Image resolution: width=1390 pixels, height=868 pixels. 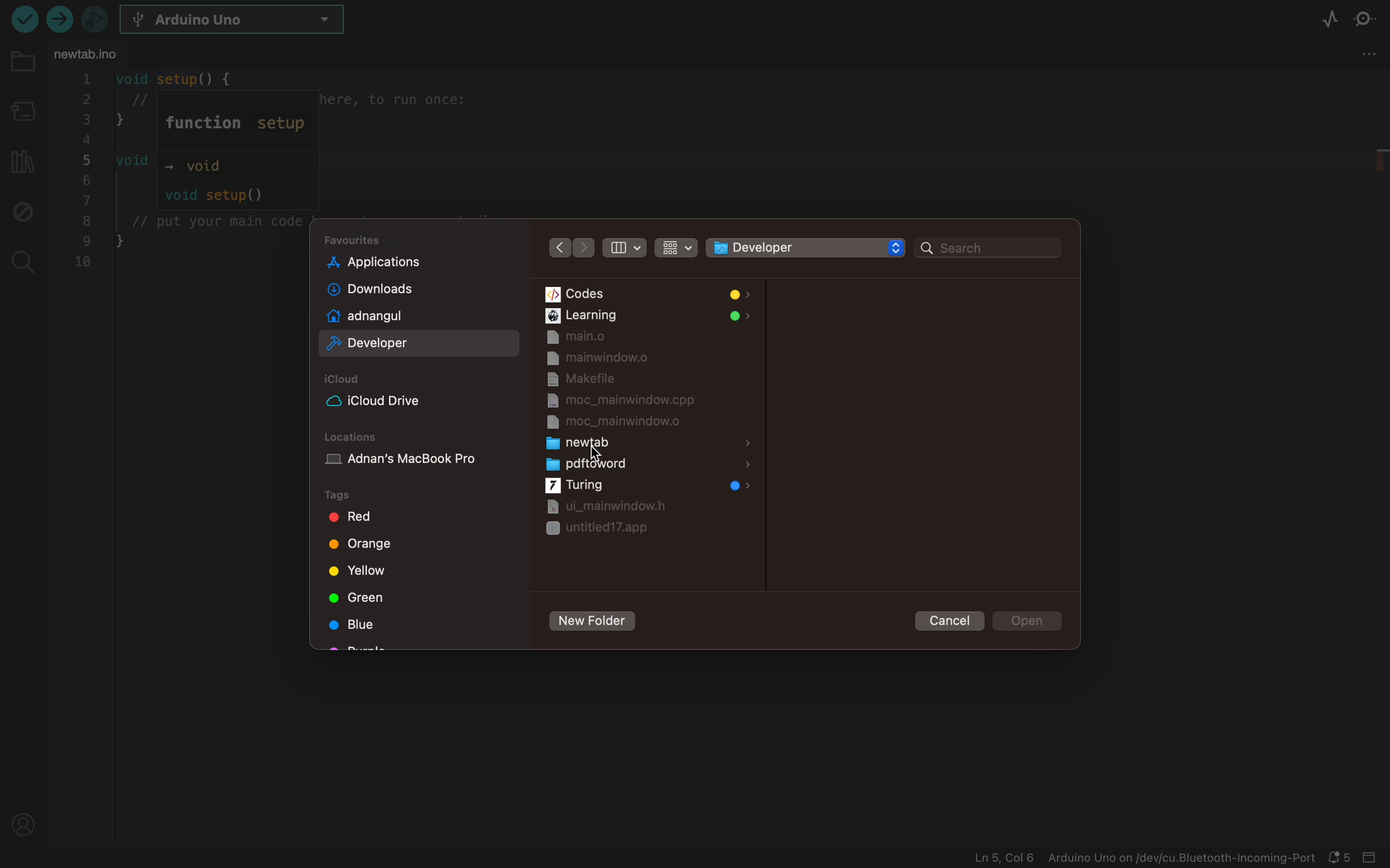 I want to click on downloads, so click(x=399, y=290).